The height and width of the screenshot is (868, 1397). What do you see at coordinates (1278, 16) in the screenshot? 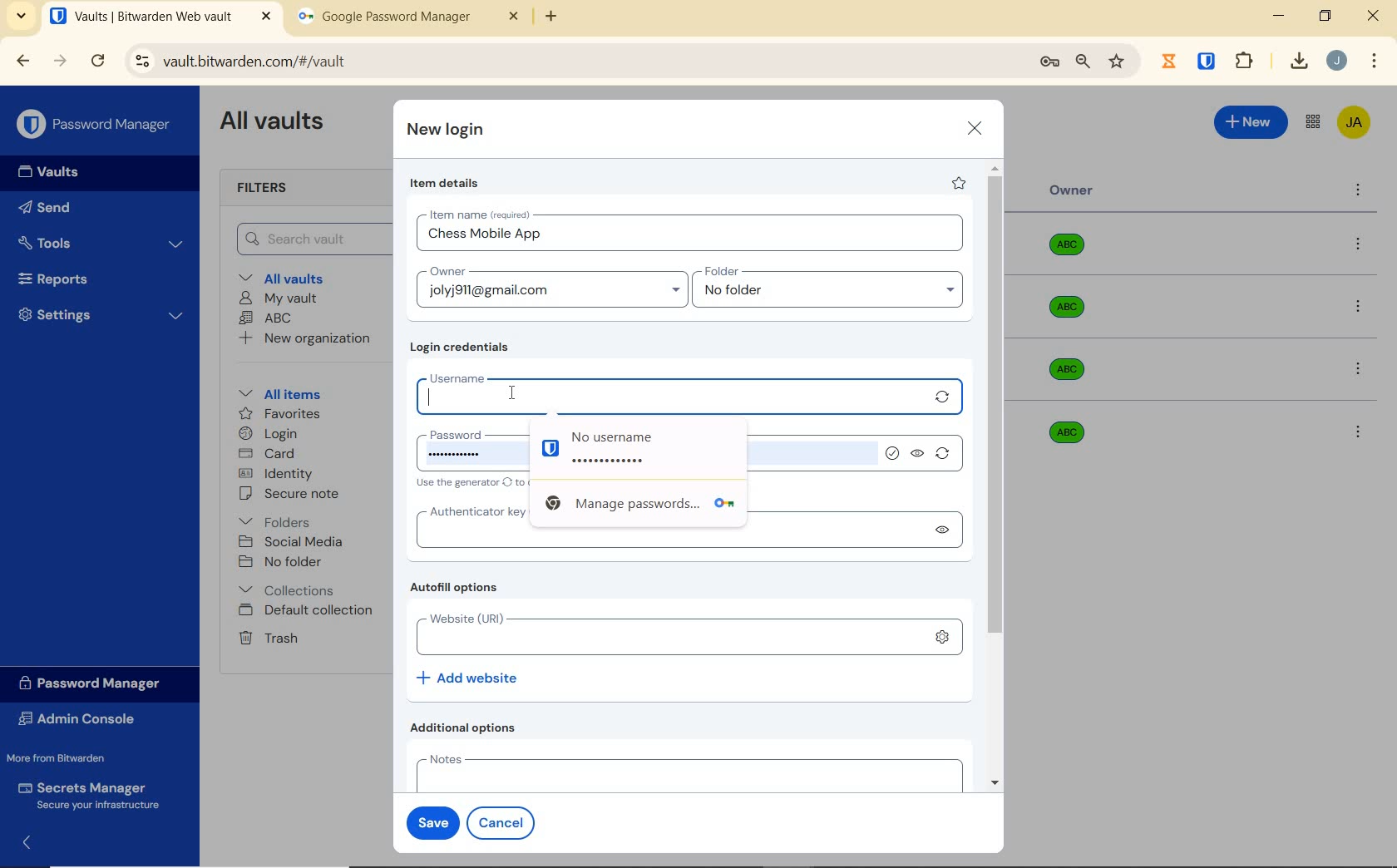
I see `minimize` at bounding box center [1278, 16].